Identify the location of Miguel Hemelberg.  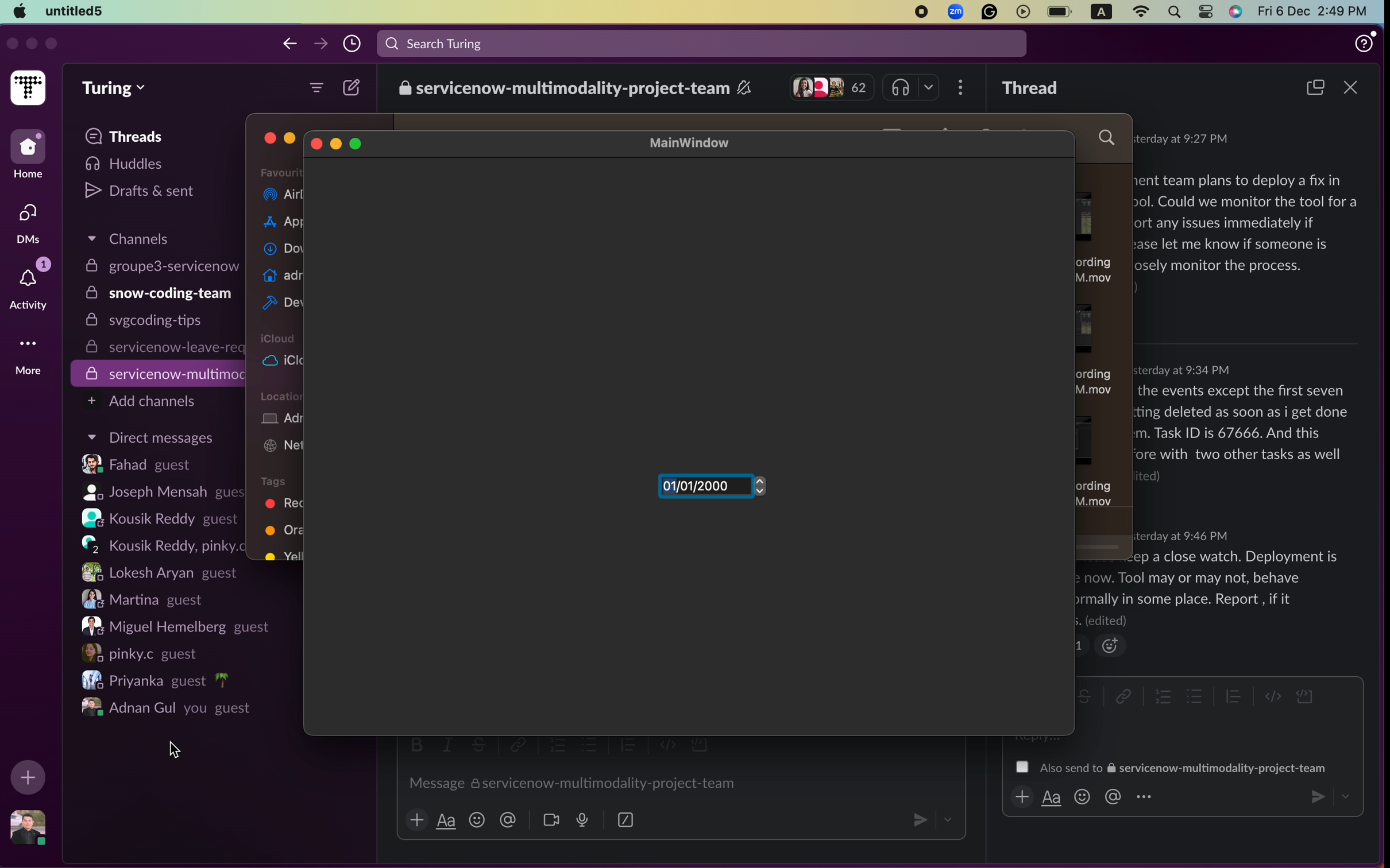
(177, 626).